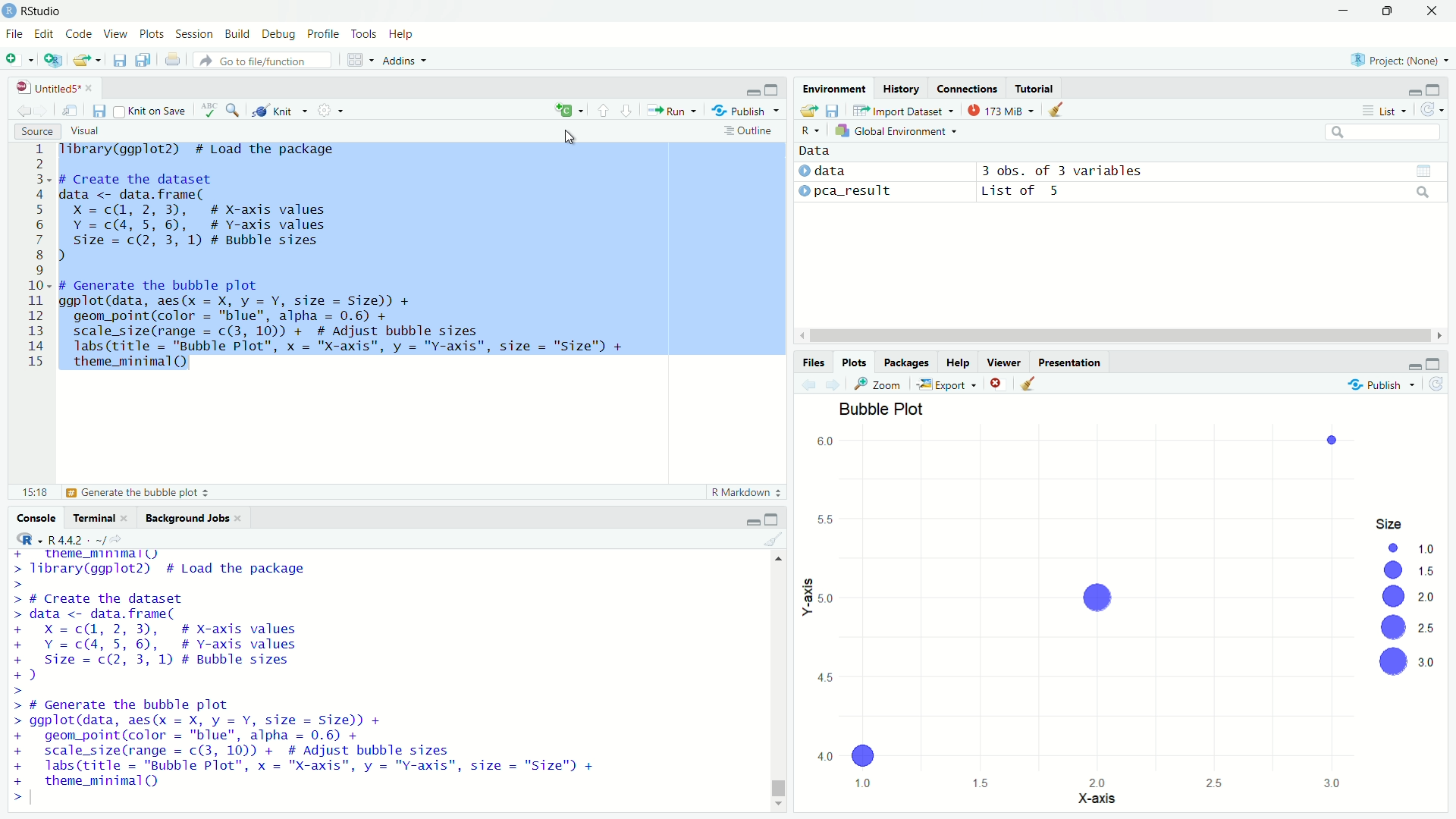  Describe the element at coordinates (1432, 11) in the screenshot. I see `close` at that location.